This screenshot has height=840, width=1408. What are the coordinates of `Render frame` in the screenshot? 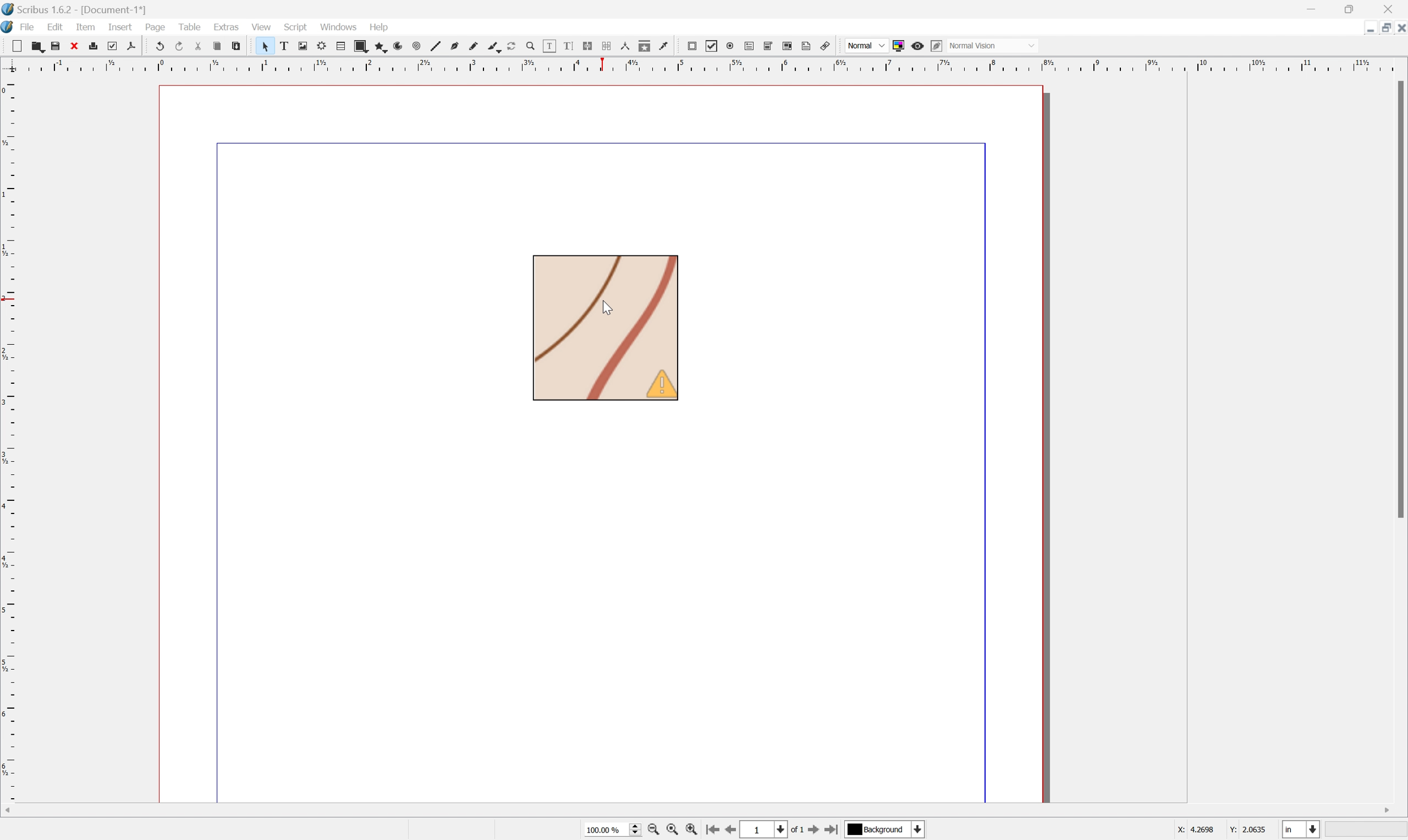 It's located at (324, 46).